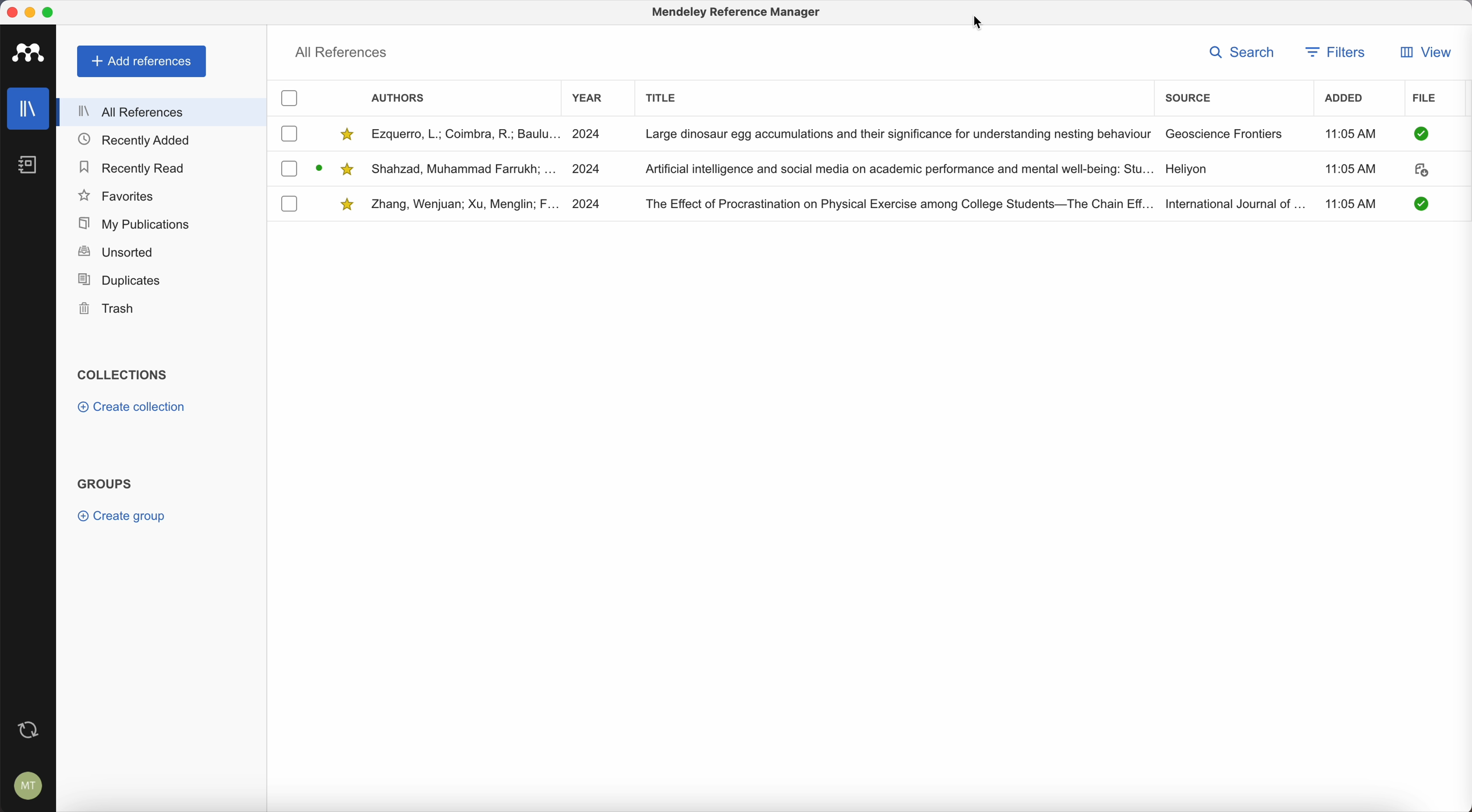 The width and height of the screenshot is (1472, 812). I want to click on view, so click(1424, 52).